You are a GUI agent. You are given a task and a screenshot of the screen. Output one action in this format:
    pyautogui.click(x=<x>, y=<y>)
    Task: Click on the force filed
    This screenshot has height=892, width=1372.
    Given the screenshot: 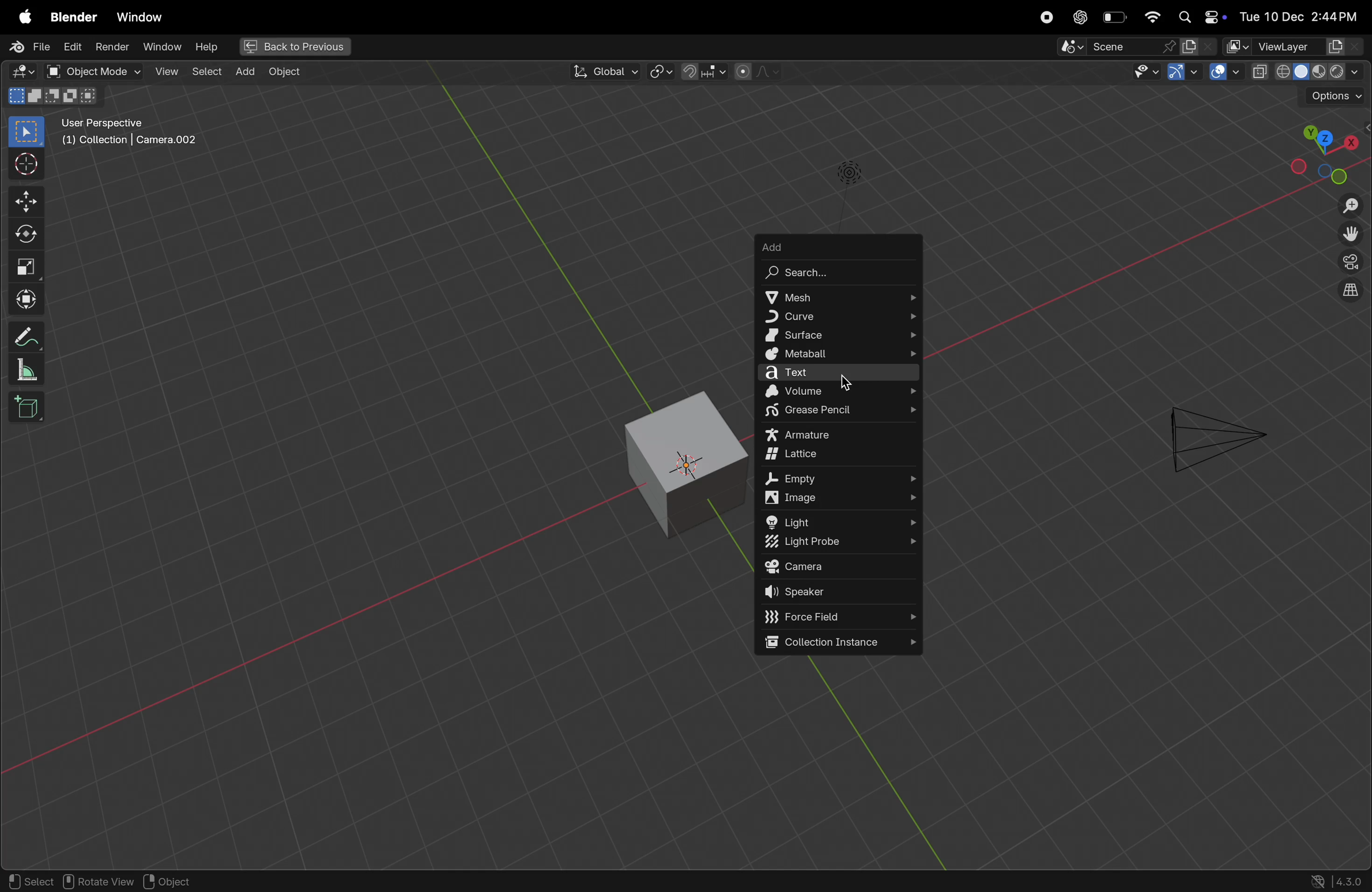 What is the action you would take?
    pyautogui.click(x=840, y=616)
    